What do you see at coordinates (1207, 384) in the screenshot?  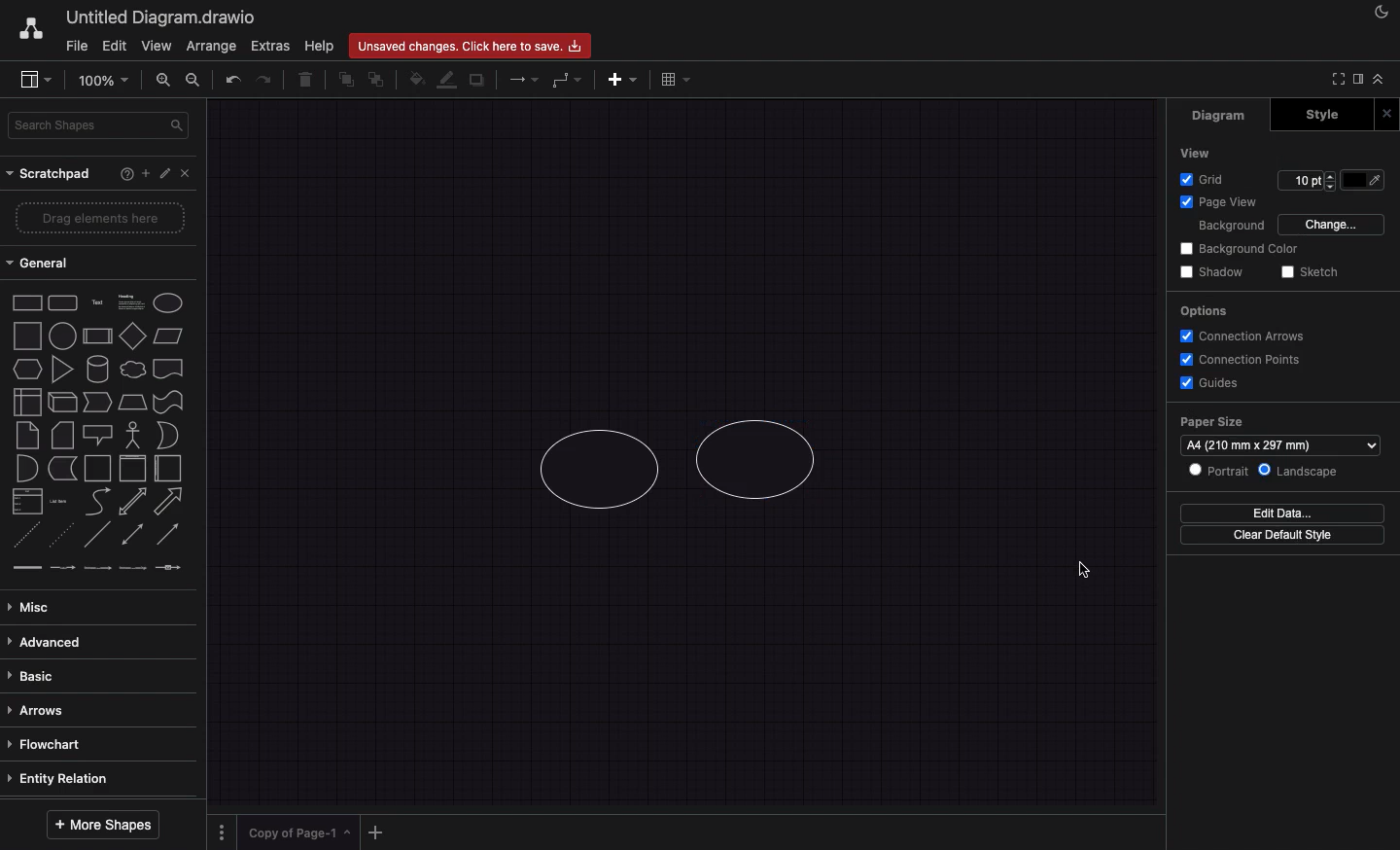 I see `guides` at bounding box center [1207, 384].